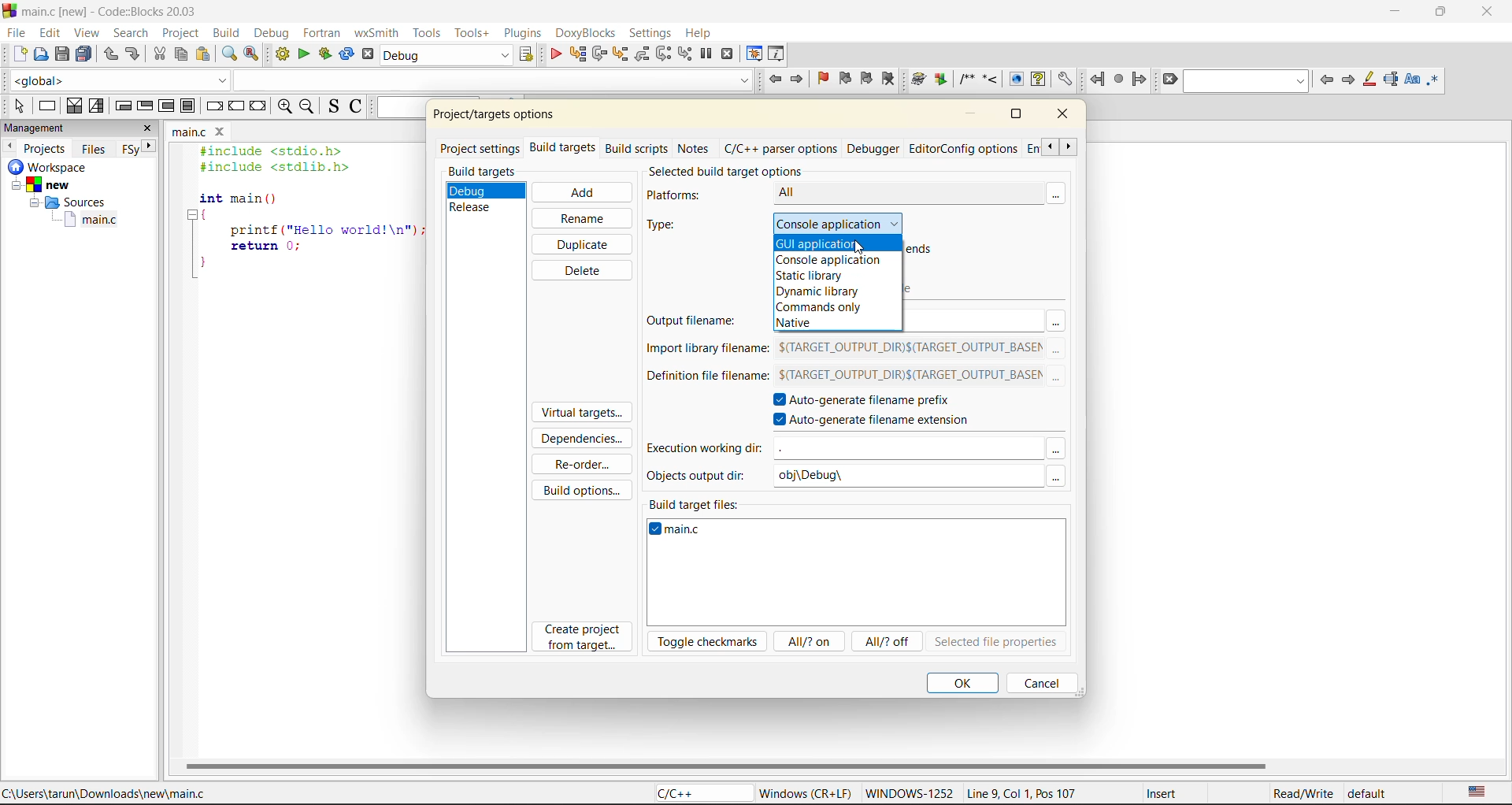 This screenshot has width=1512, height=805. What do you see at coordinates (1172, 81) in the screenshot?
I see `clear` at bounding box center [1172, 81].